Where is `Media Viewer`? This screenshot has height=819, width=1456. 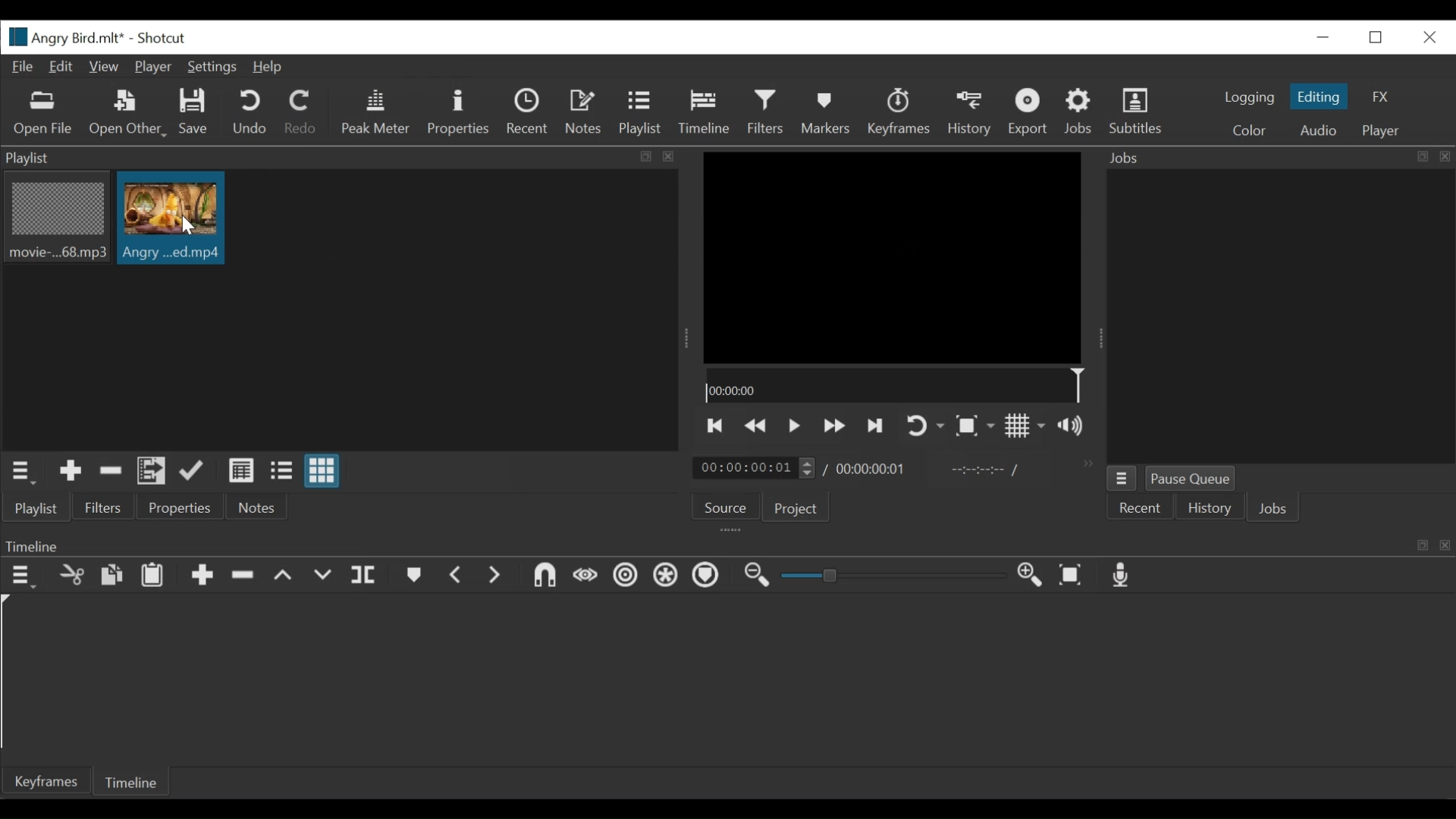
Media Viewer is located at coordinates (894, 256).